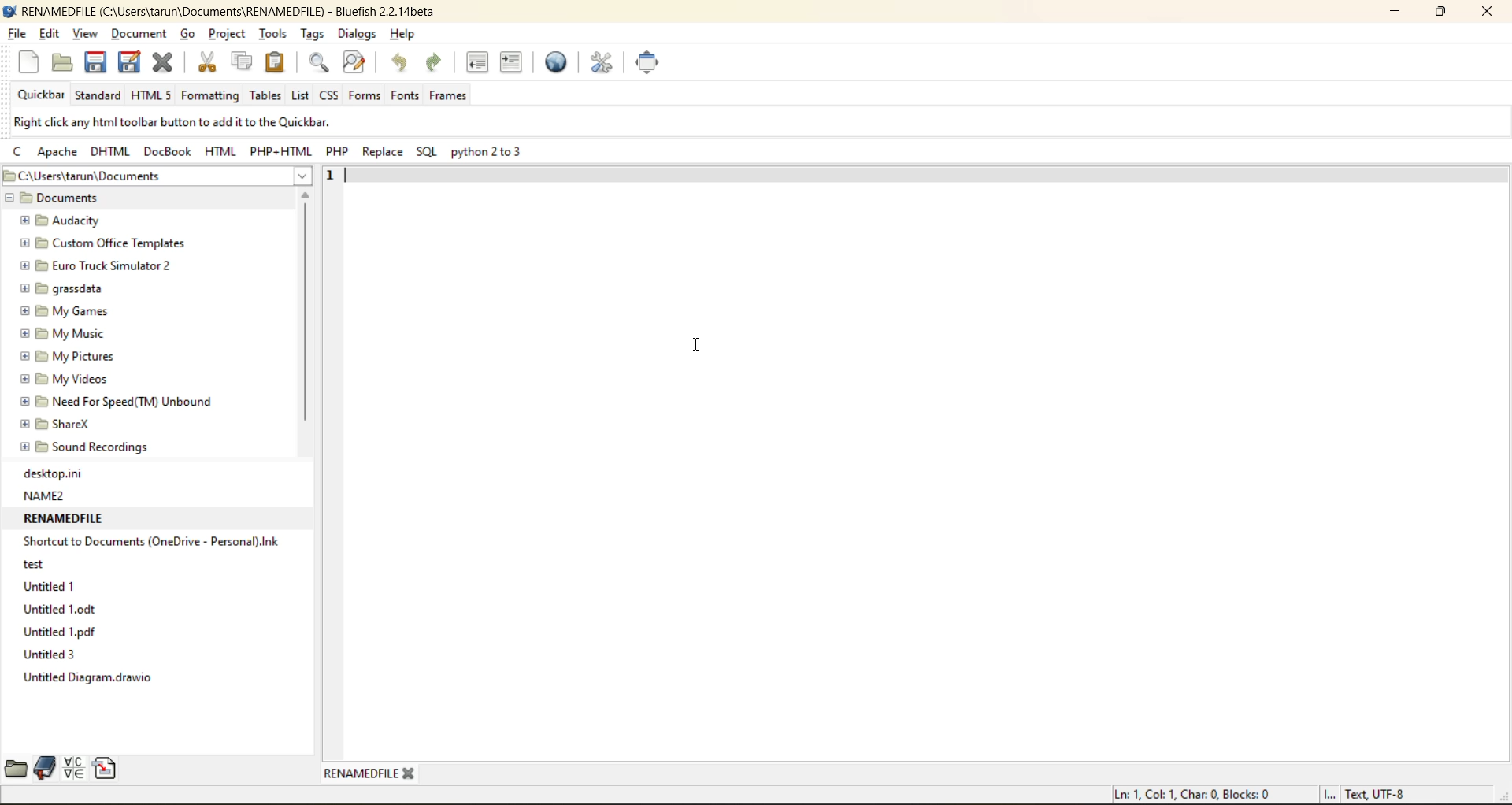 This screenshot has height=805, width=1512. What do you see at coordinates (652, 65) in the screenshot?
I see `full screen` at bounding box center [652, 65].